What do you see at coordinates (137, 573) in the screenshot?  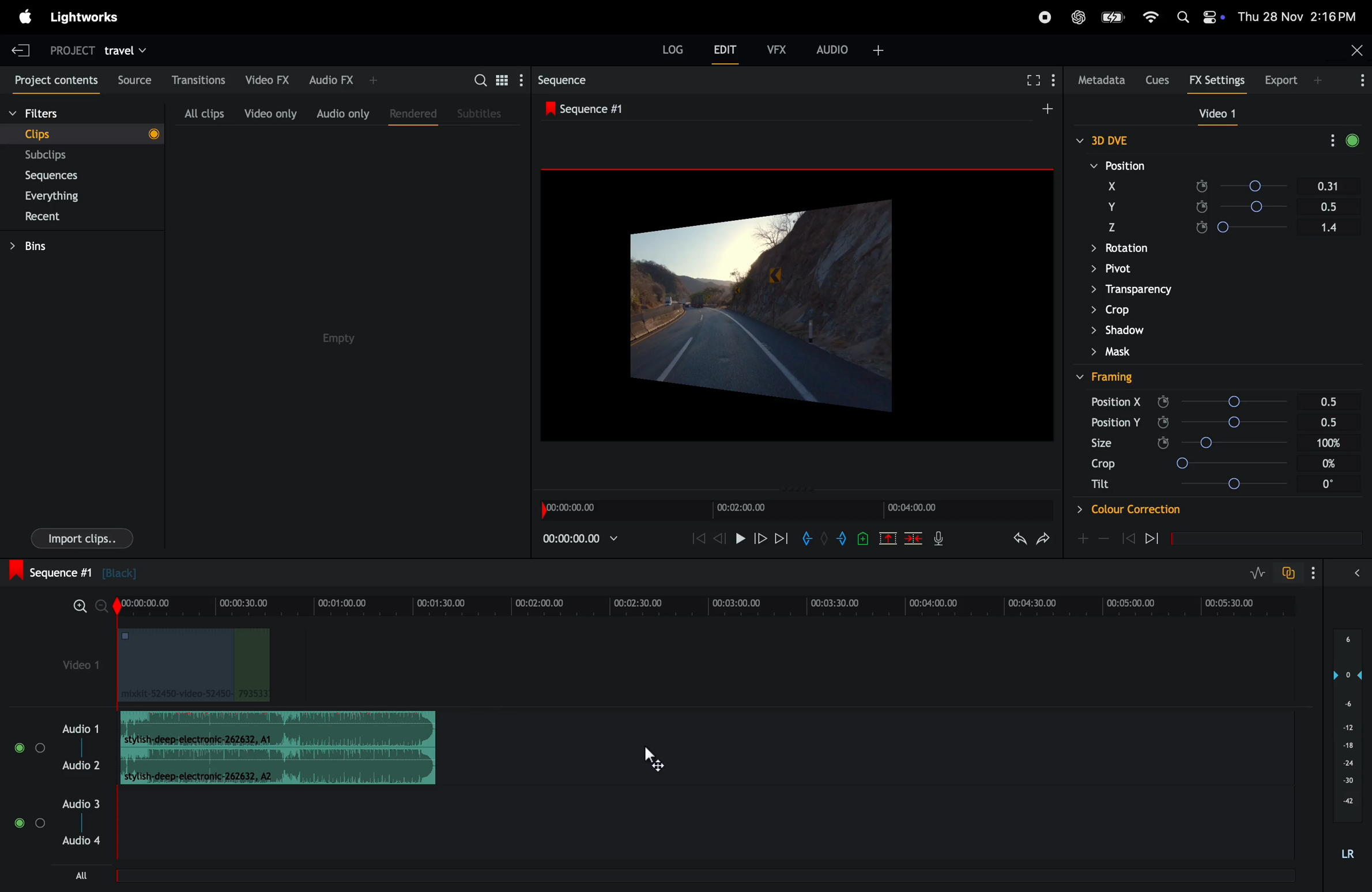 I see `sequence 1` at bounding box center [137, 573].